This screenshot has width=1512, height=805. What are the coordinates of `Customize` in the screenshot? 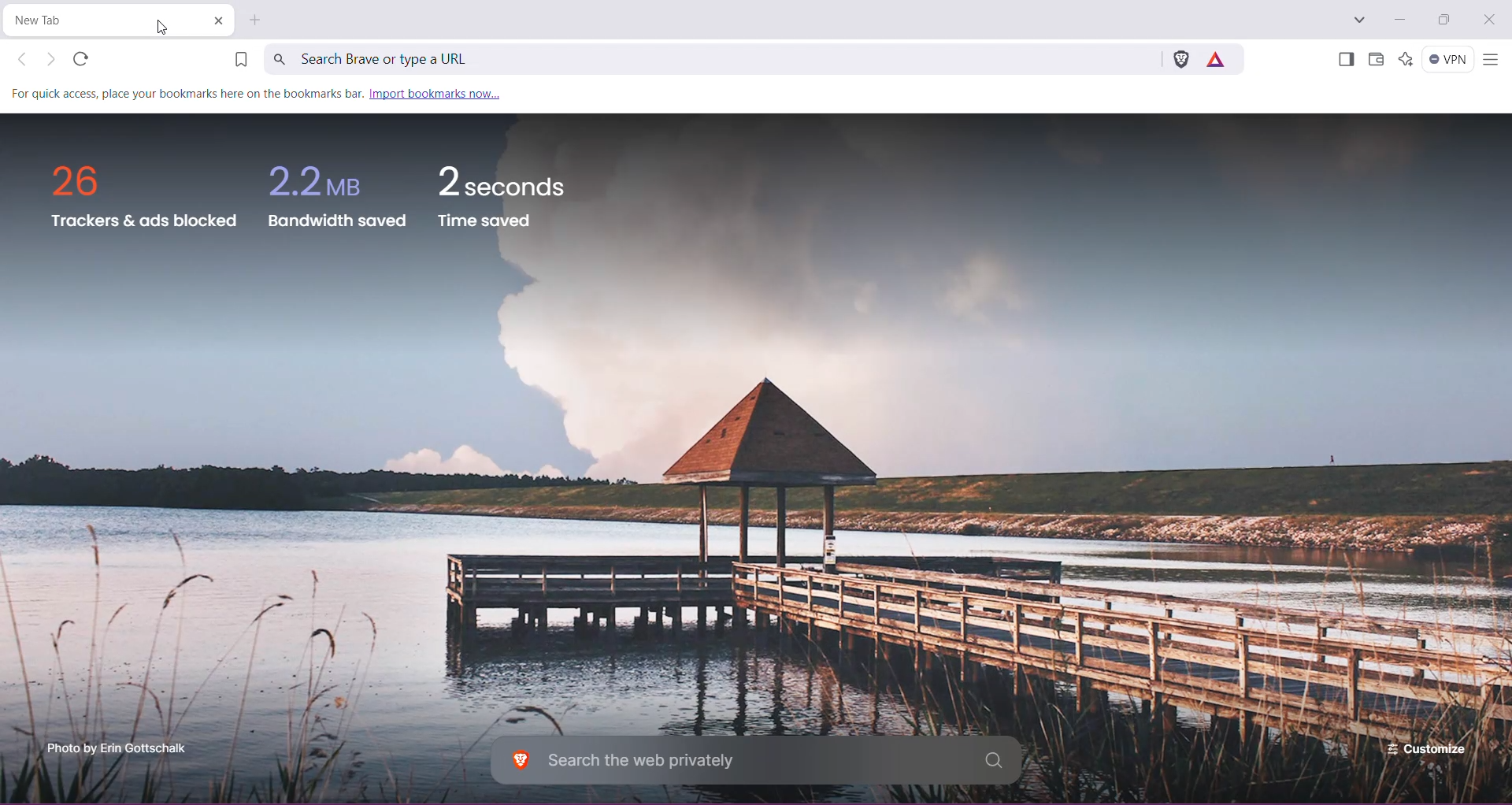 It's located at (1425, 747).